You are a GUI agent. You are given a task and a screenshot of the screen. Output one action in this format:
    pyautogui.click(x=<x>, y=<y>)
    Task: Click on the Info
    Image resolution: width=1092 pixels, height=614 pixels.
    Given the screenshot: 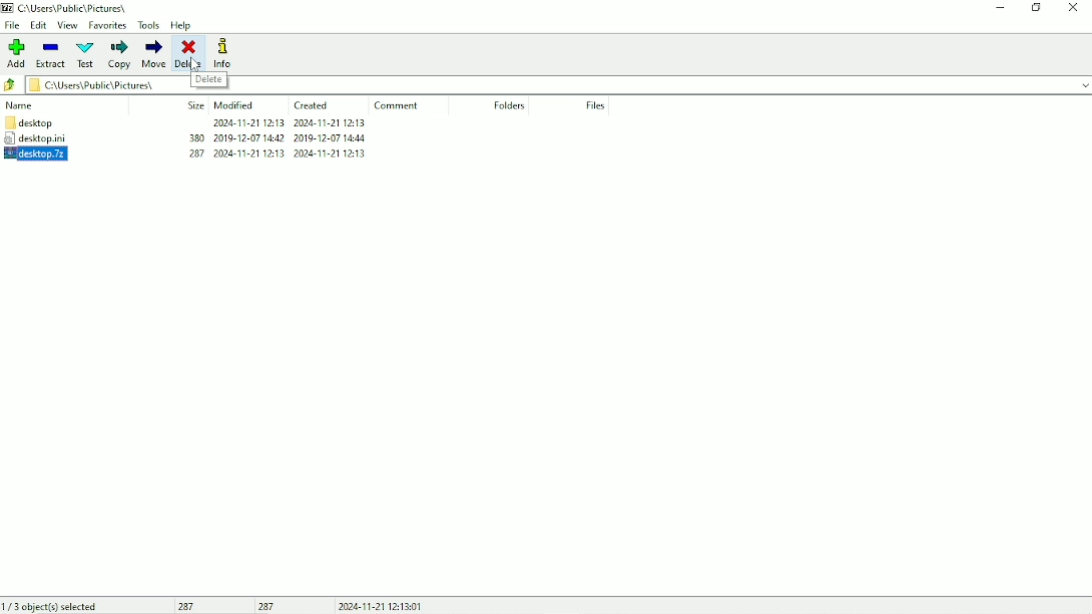 What is the action you would take?
    pyautogui.click(x=225, y=53)
    